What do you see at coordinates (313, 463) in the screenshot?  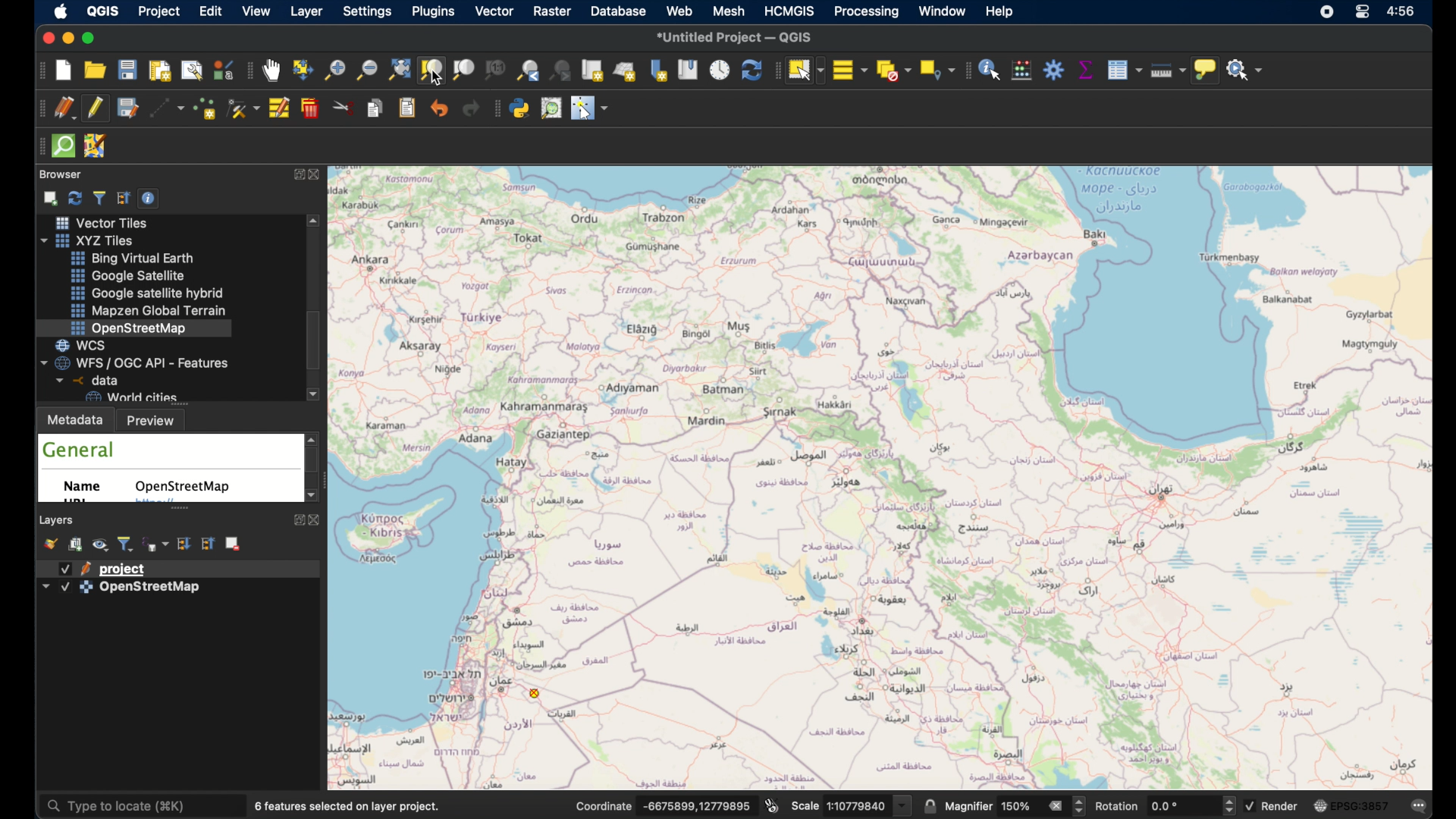 I see `scroll box` at bounding box center [313, 463].